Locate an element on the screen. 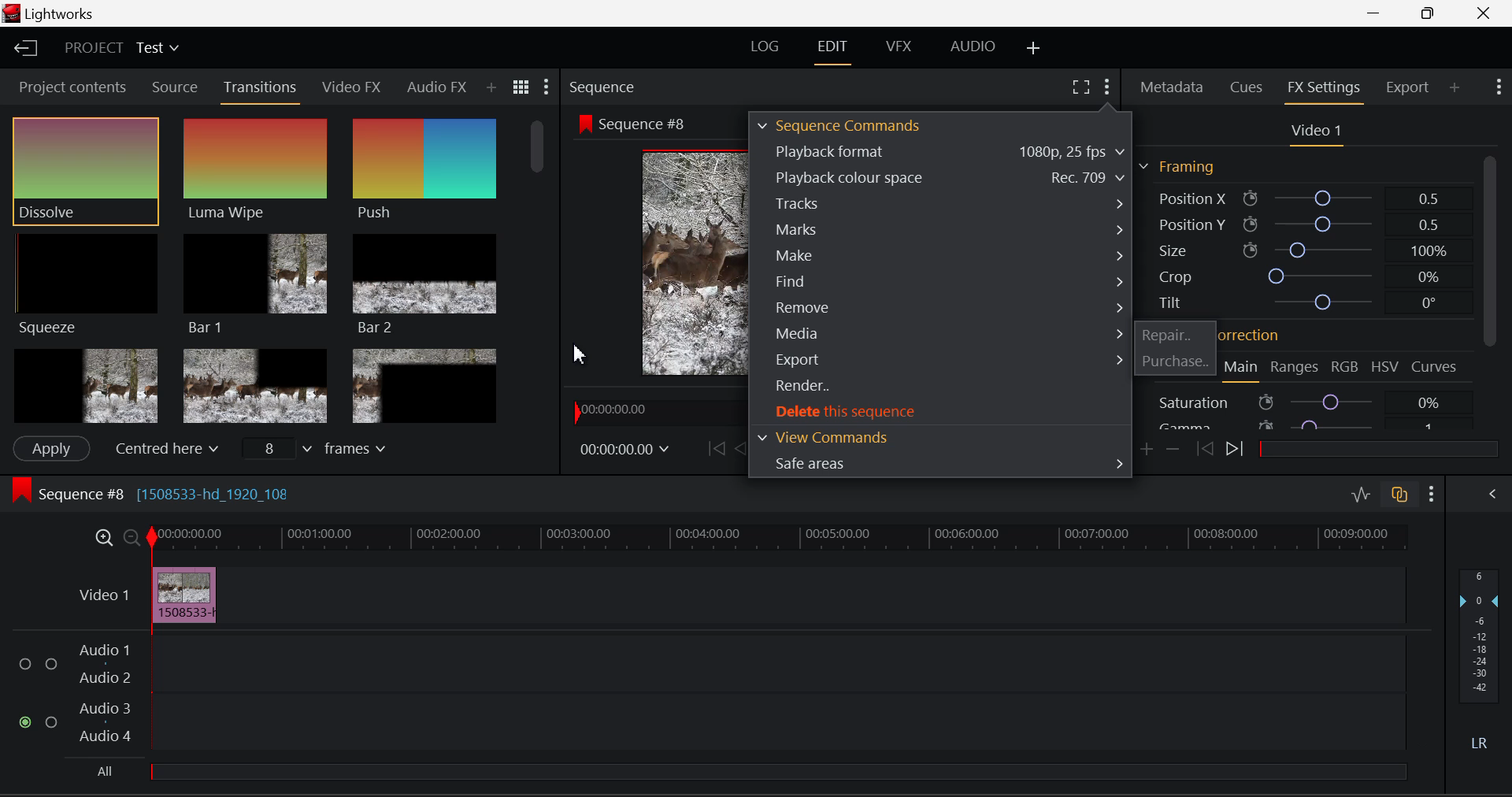 This screenshot has height=797, width=1512. Centered here is located at coordinates (164, 449).